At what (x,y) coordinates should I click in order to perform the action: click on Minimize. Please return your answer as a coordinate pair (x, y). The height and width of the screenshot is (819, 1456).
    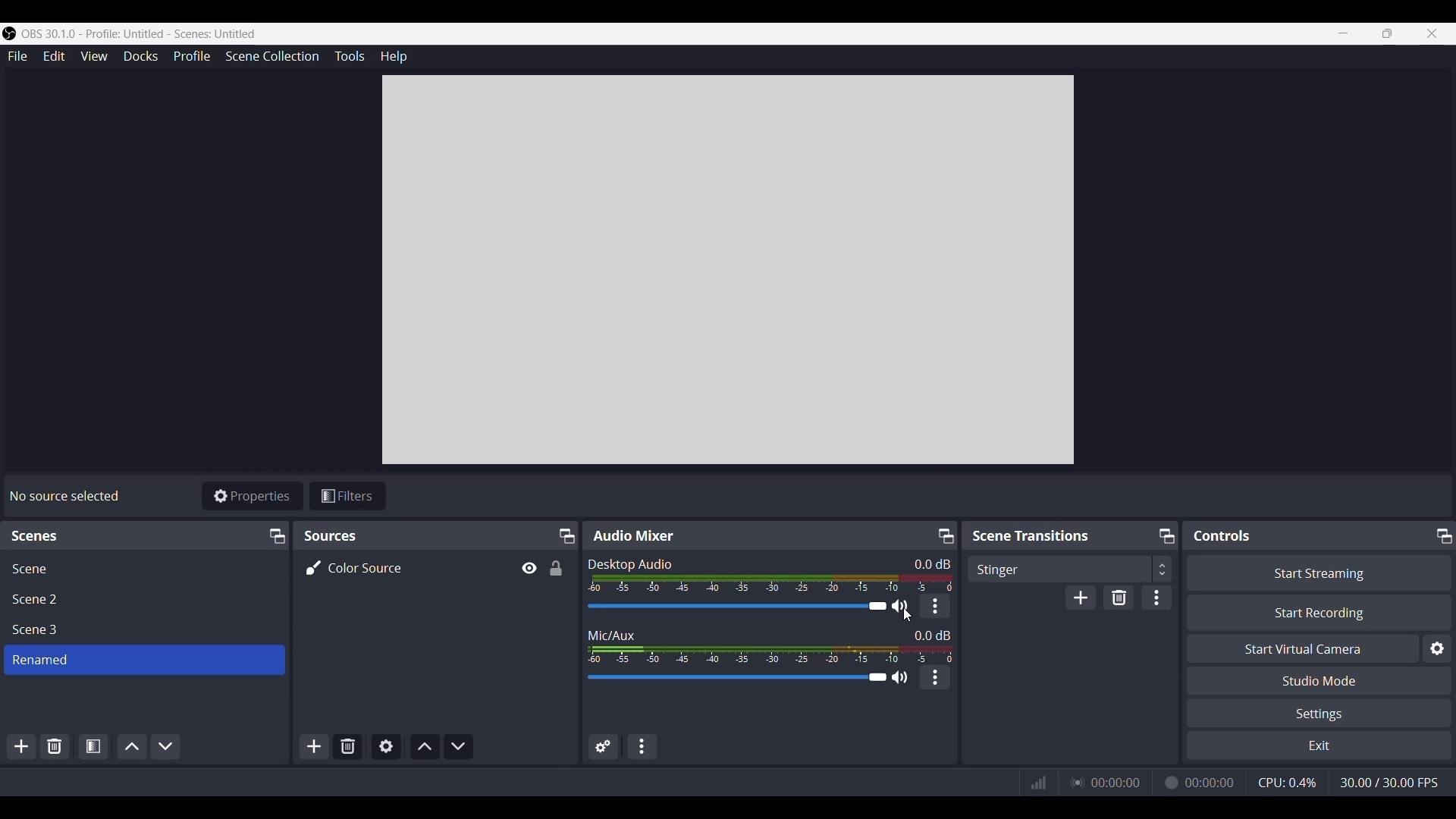
    Looking at the image, I should click on (1343, 33).